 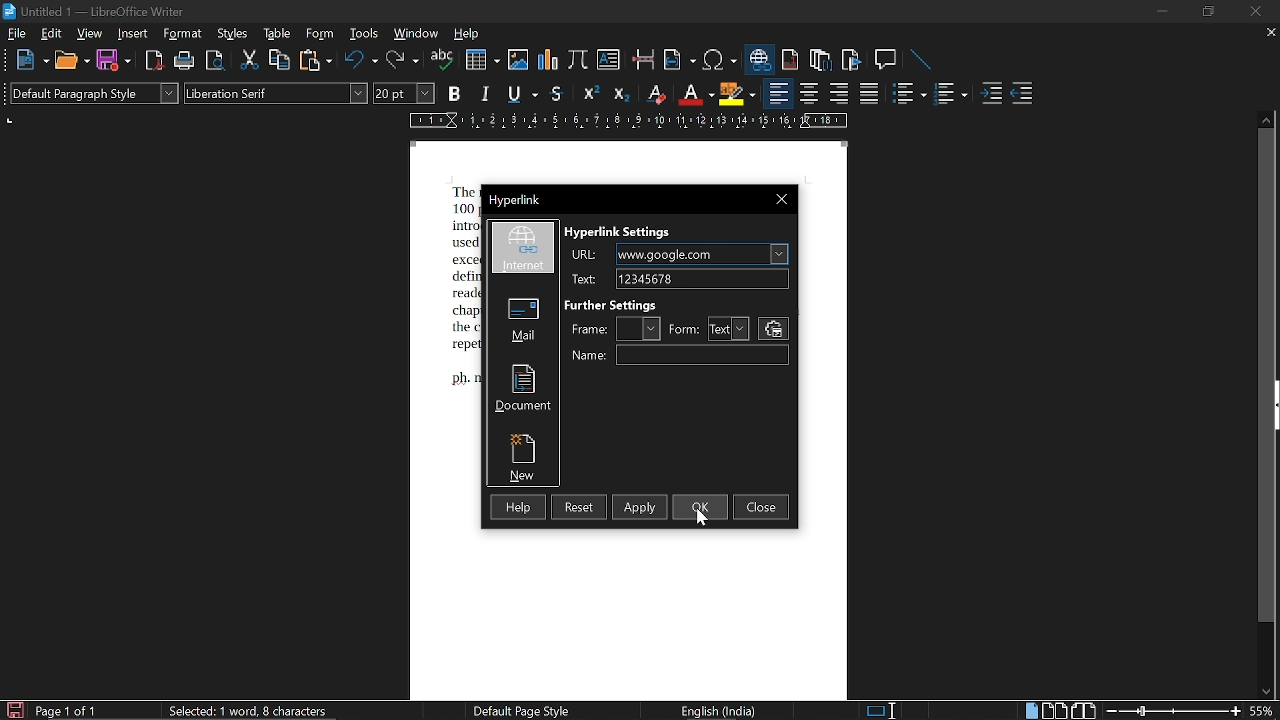 What do you see at coordinates (678, 60) in the screenshot?
I see `insert field` at bounding box center [678, 60].